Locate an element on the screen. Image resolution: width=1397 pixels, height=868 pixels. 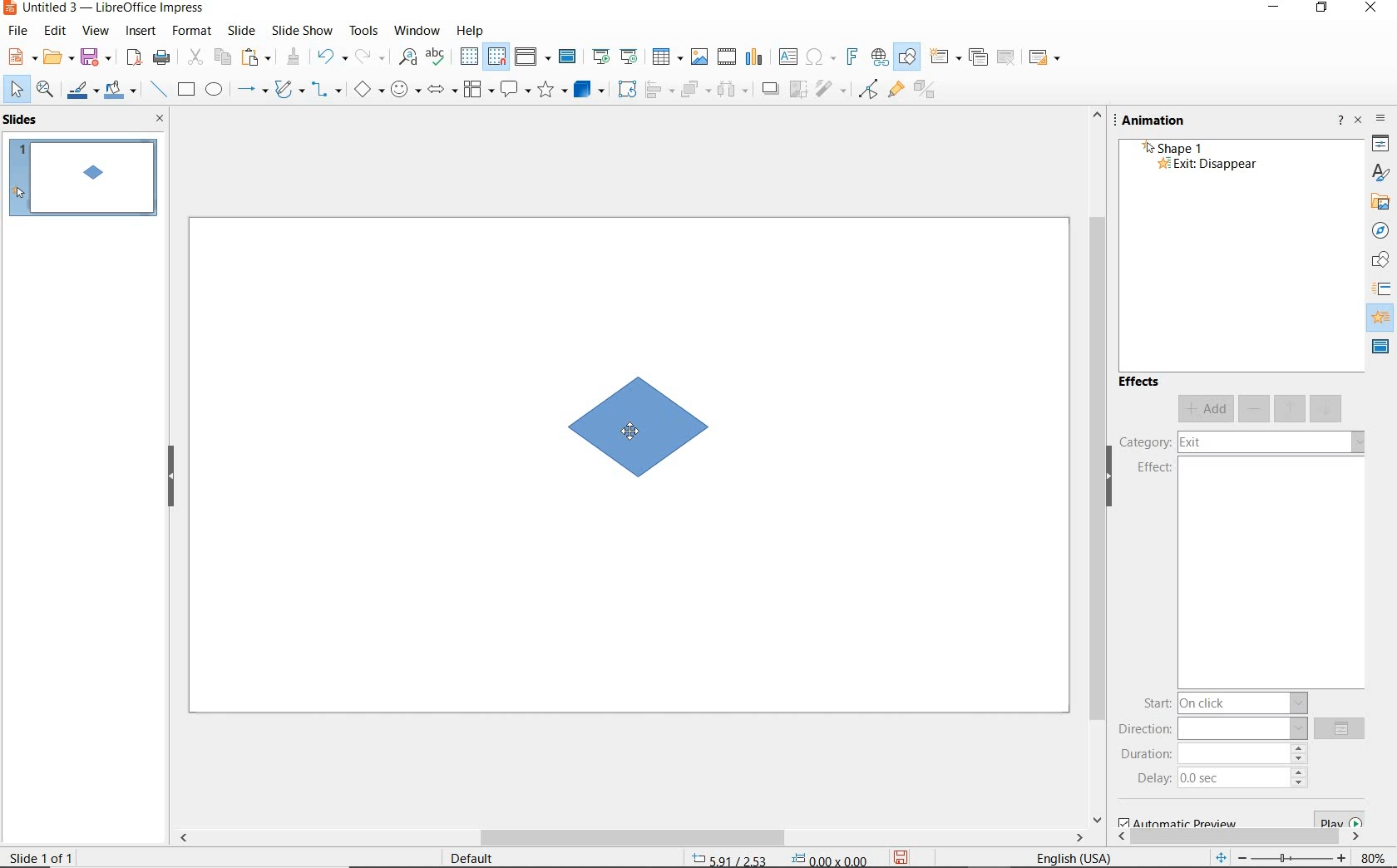
align objects is located at coordinates (659, 91).